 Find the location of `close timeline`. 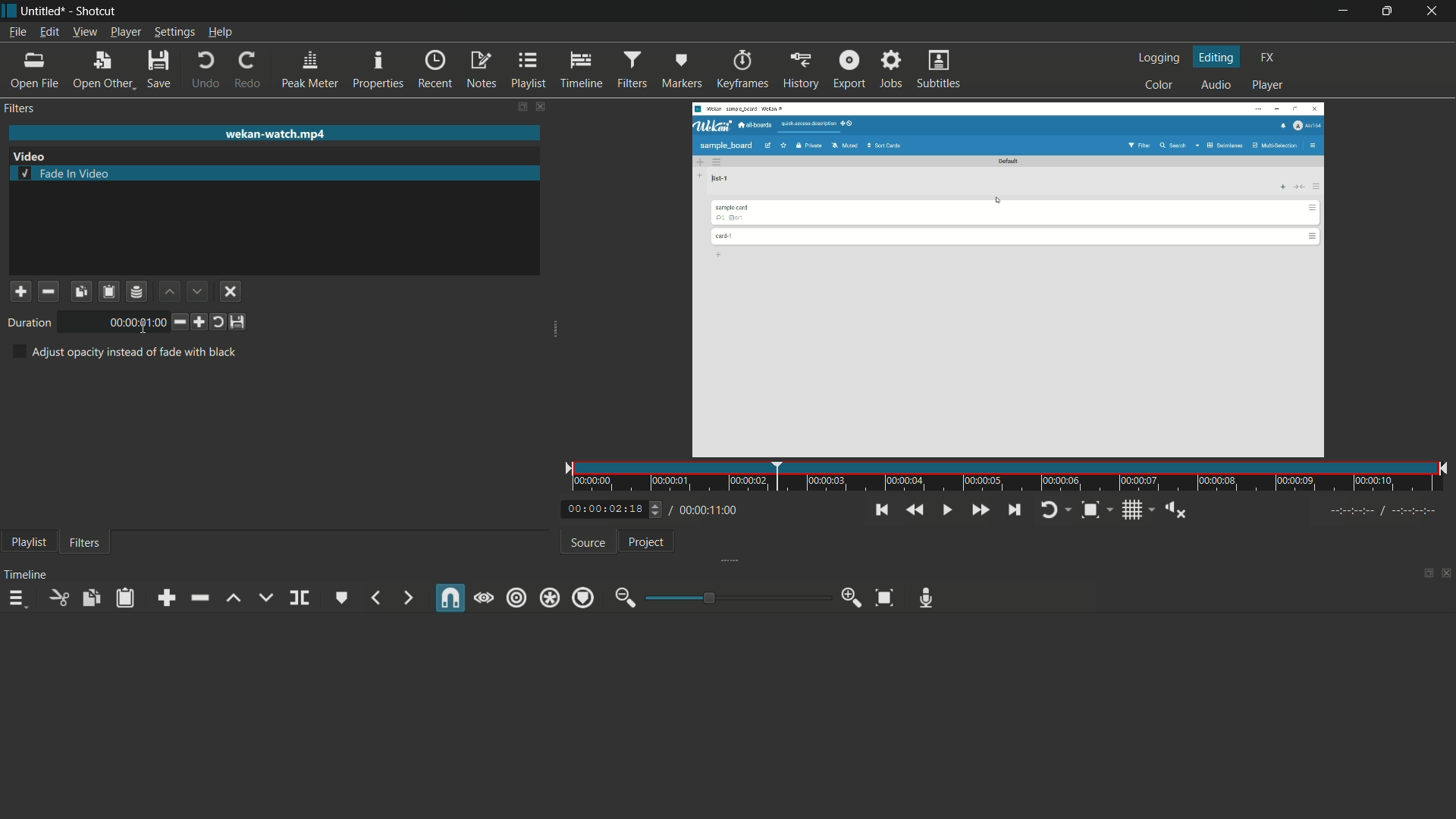

close timeline is located at coordinates (1447, 571).